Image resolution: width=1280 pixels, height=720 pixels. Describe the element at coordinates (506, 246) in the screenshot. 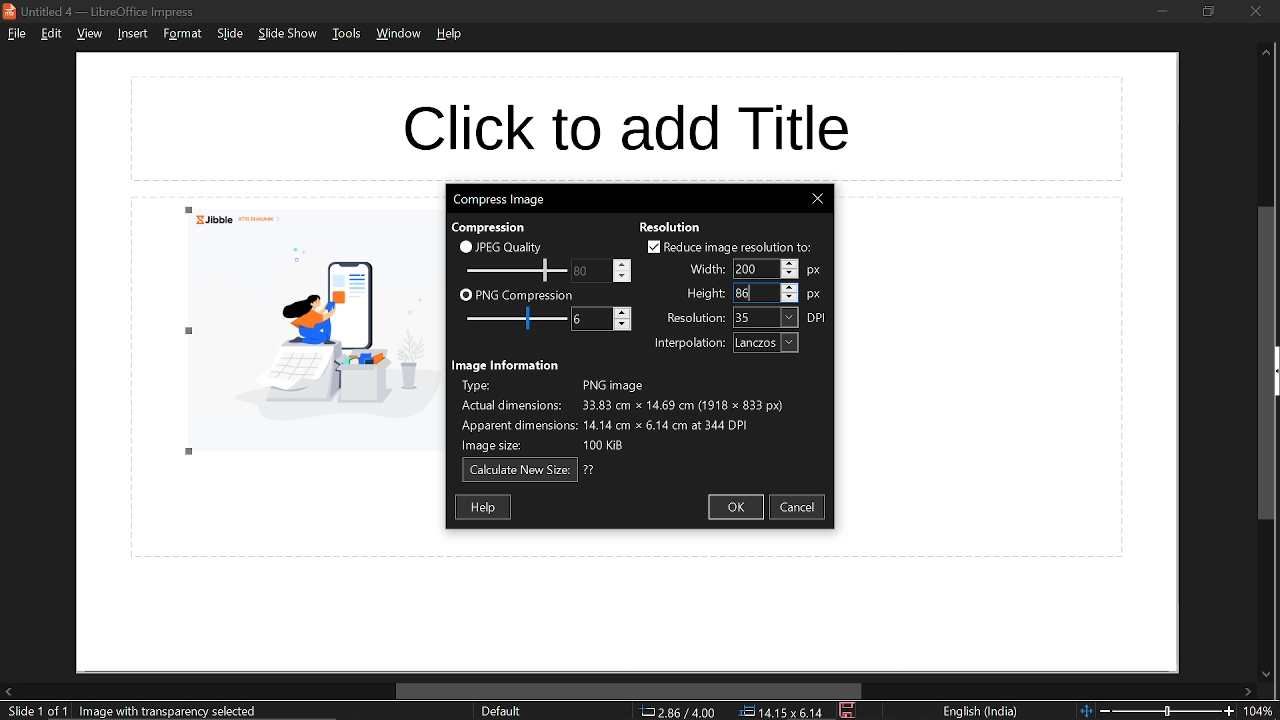

I see `JPEG quality` at that location.